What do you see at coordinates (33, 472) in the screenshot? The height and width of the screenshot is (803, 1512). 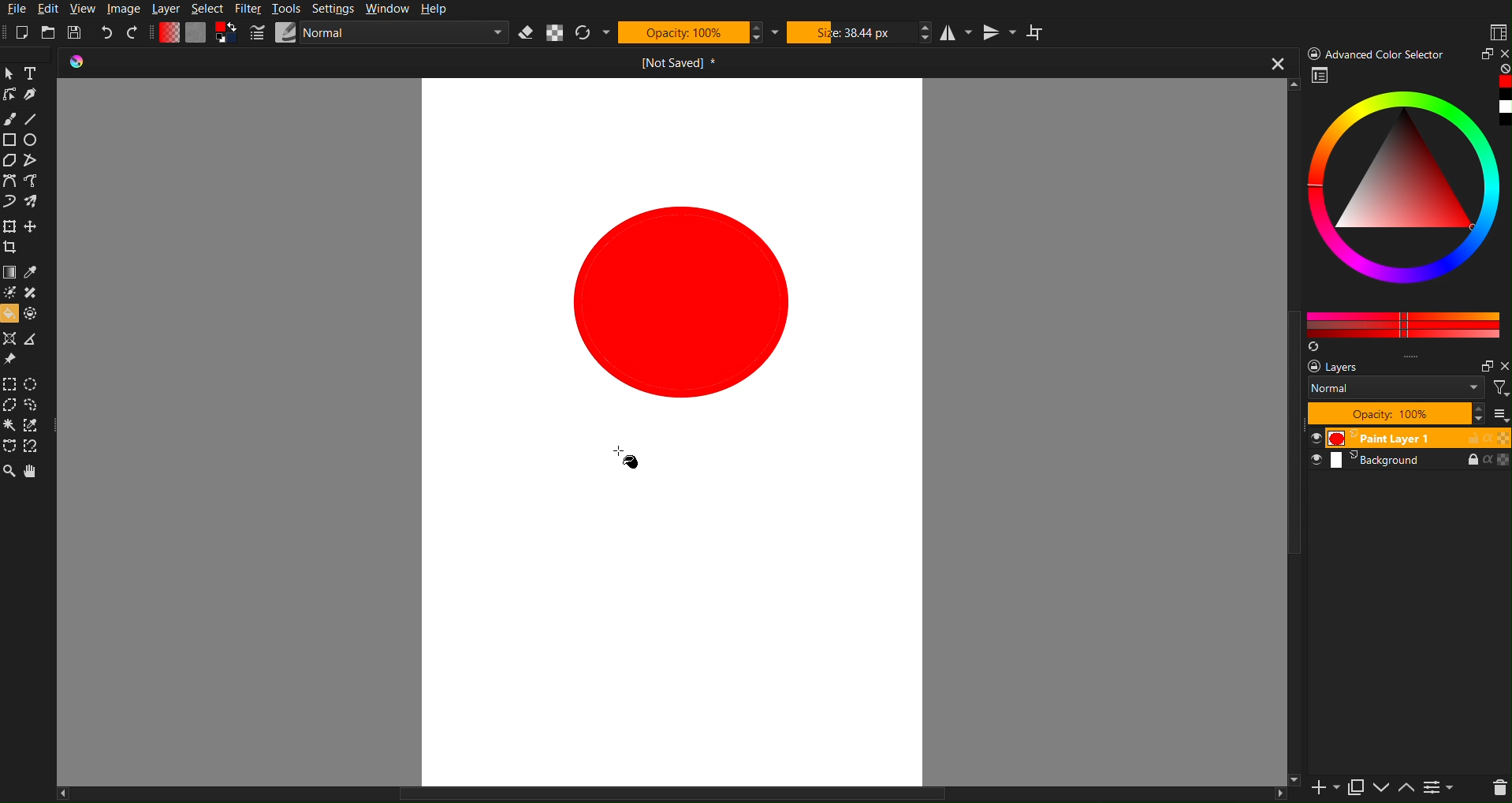 I see `Pan` at bounding box center [33, 472].